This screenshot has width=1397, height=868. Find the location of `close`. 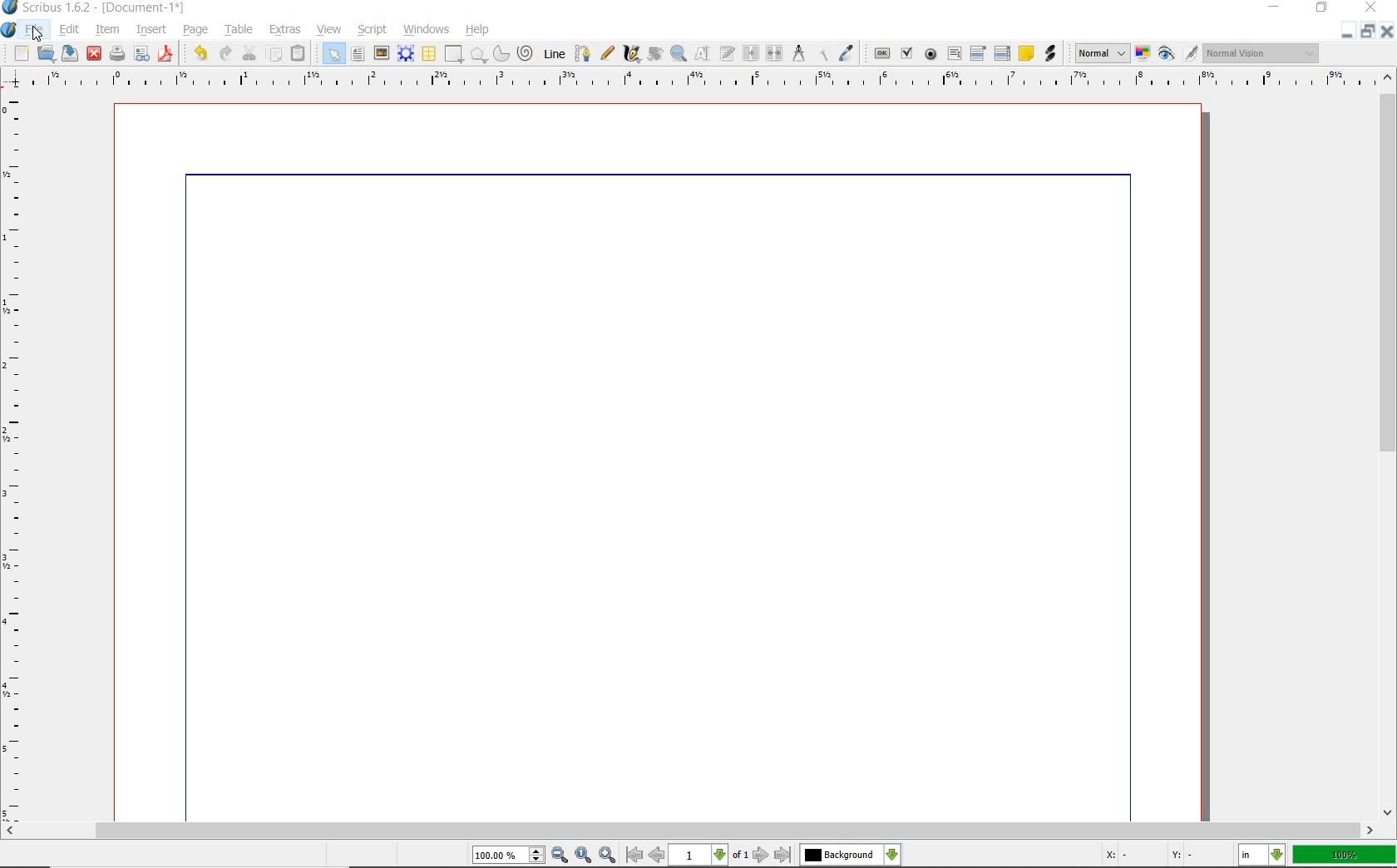

close is located at coordinates (1348, 32).